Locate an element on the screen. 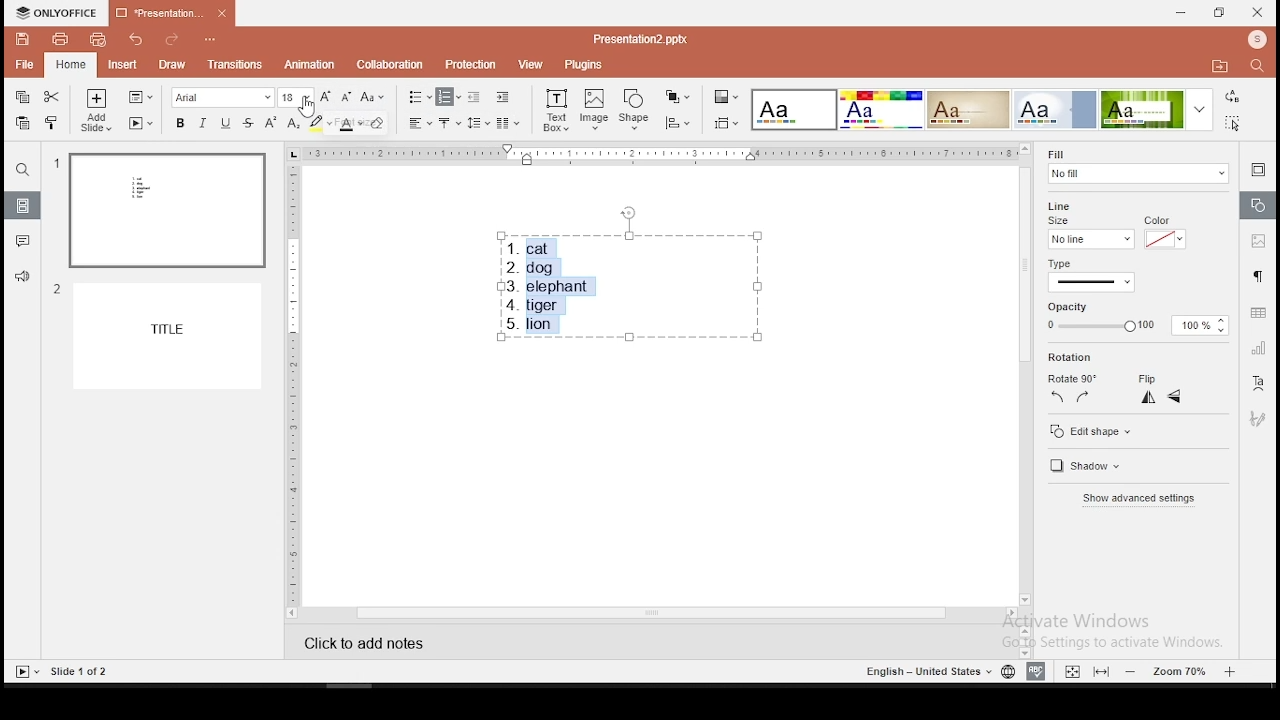 The width and height of the screenshot is (1280, 720). presentation is located at coordinates (168, 13).